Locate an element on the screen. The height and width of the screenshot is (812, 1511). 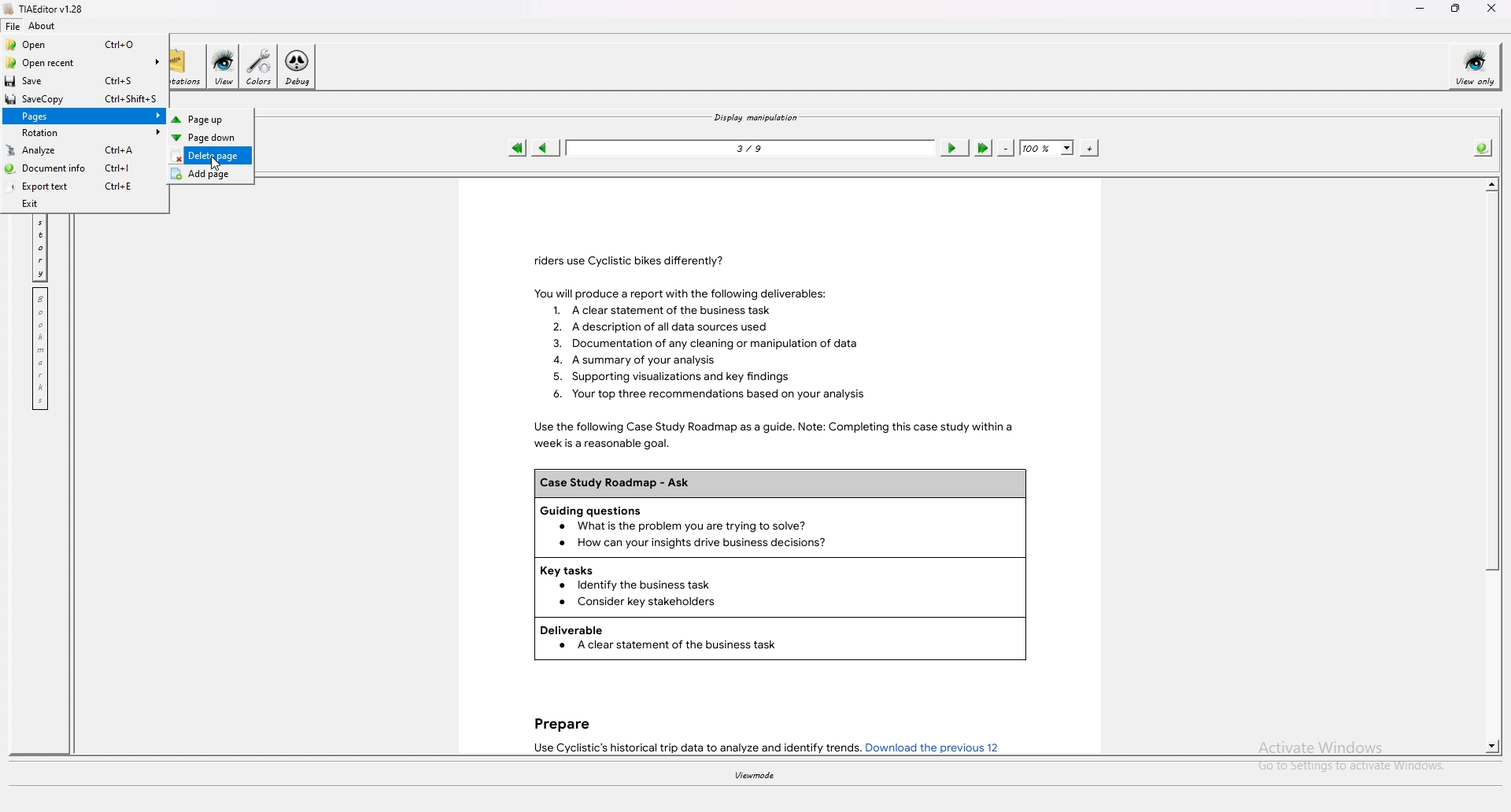
history is located at coordinates (42, 248).